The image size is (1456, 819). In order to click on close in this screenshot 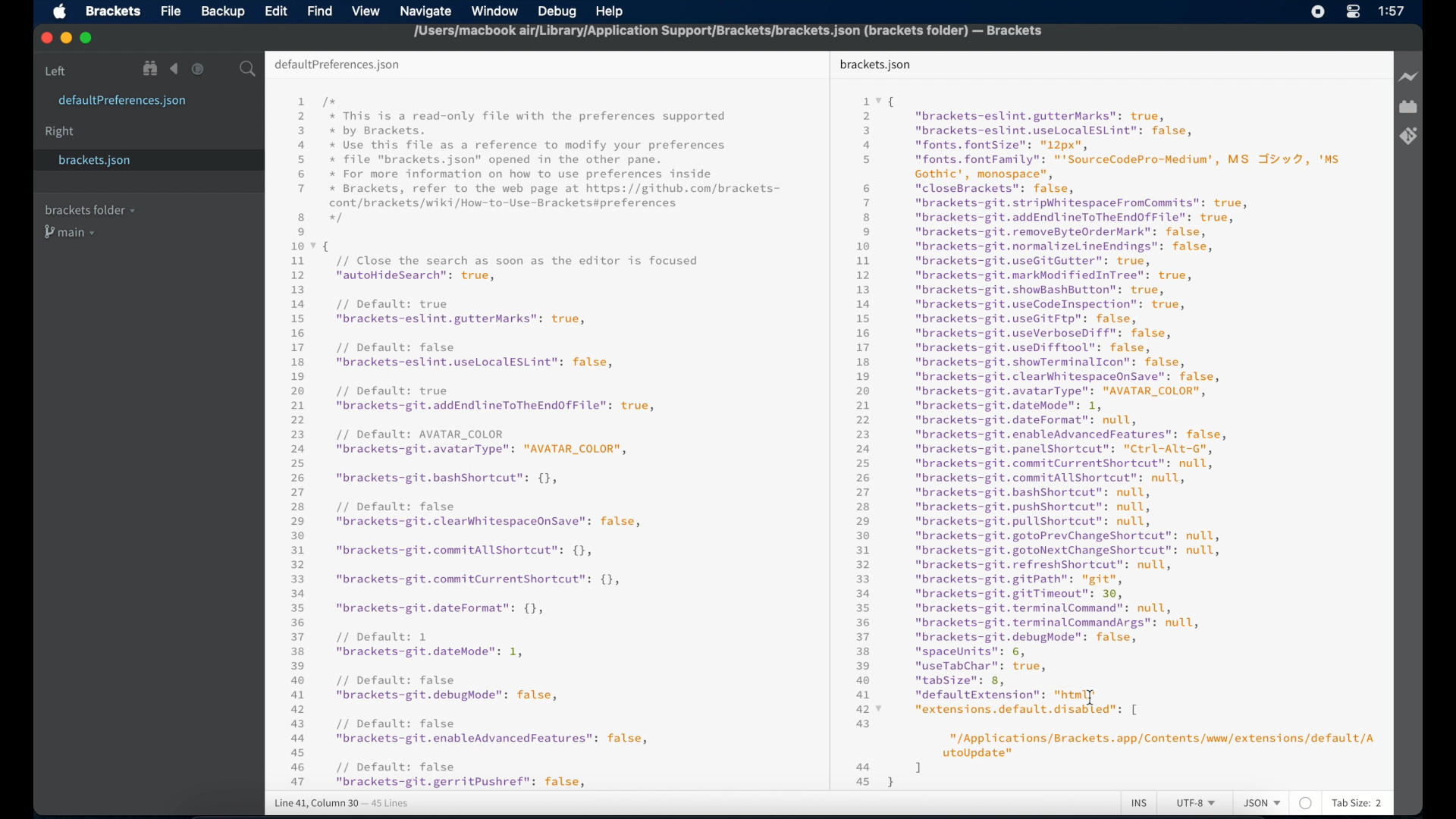, I will do `click(45, 37)`.